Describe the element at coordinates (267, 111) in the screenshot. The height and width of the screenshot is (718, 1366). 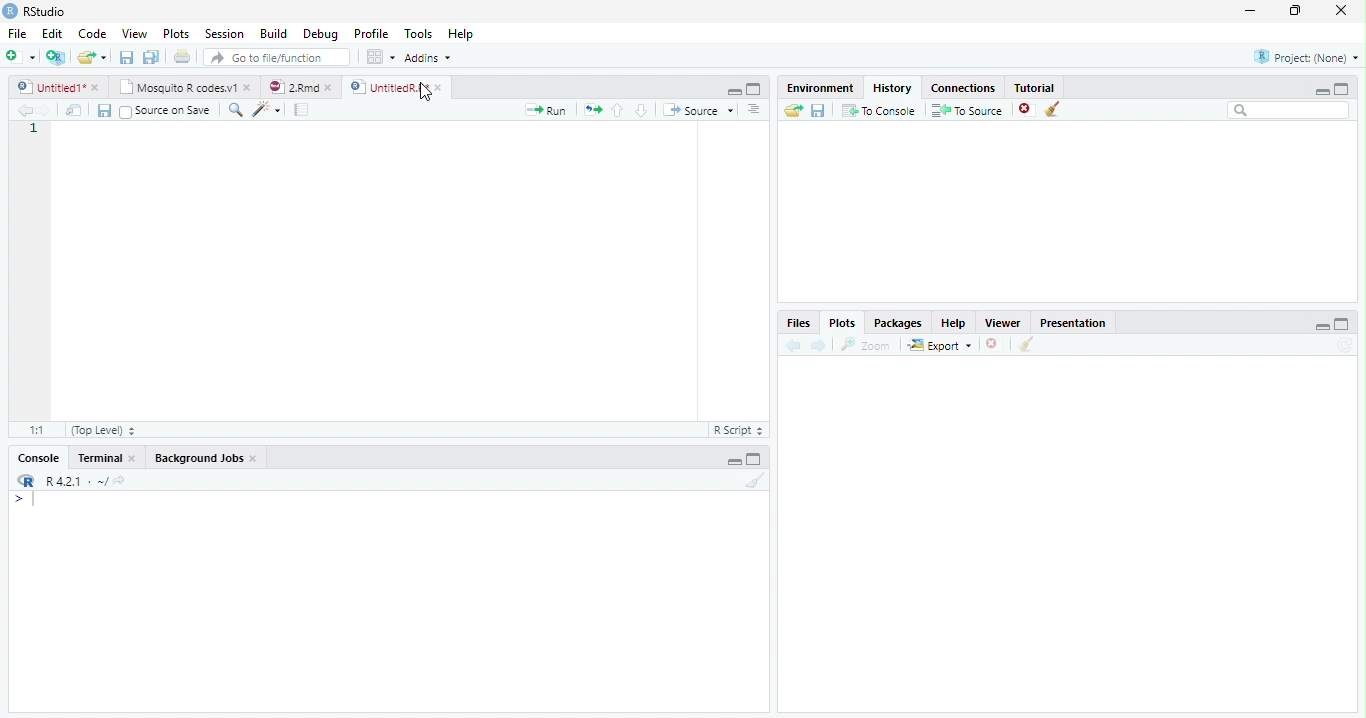
I see `Magic code` at that location.